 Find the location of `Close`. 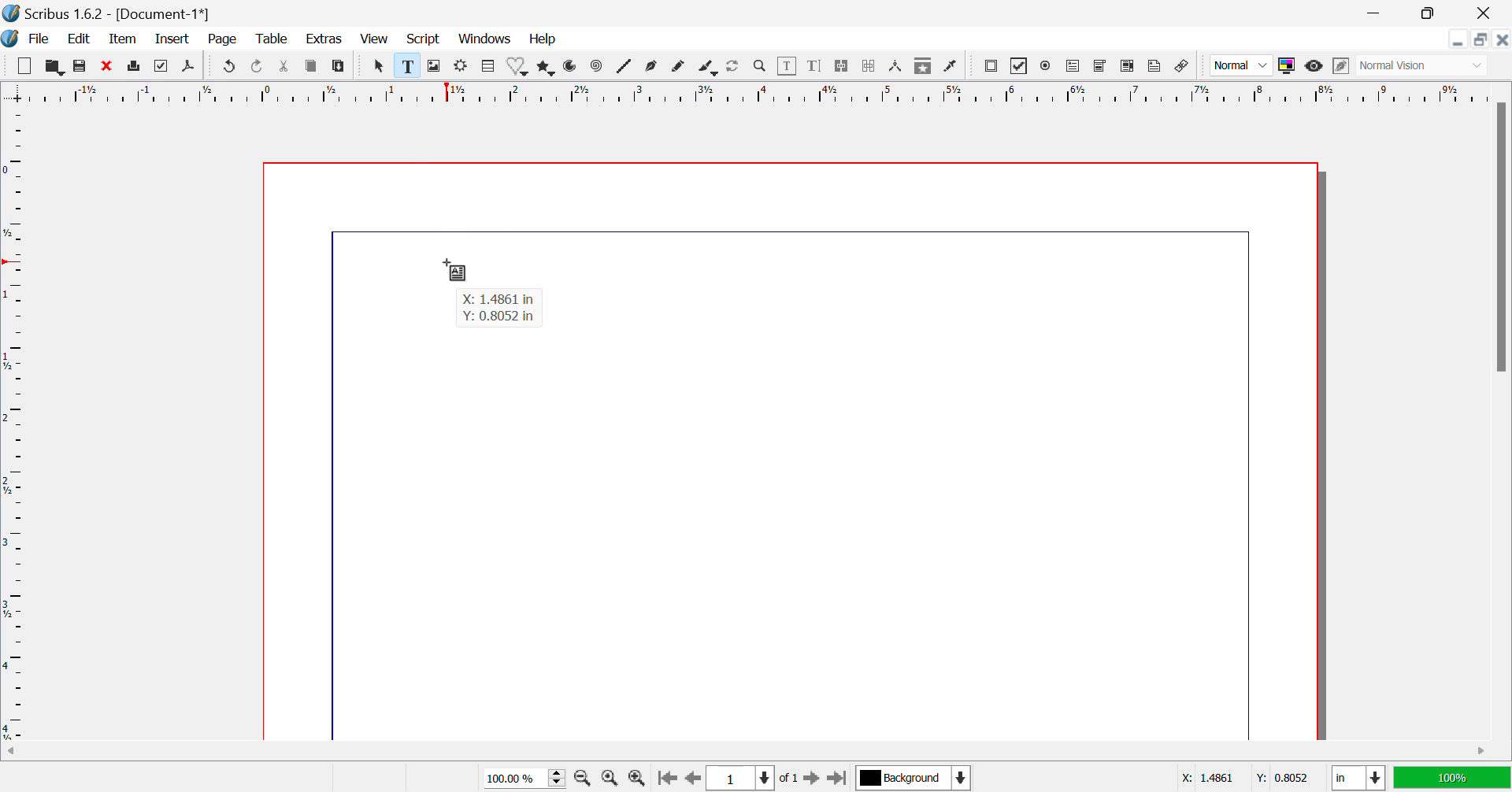

Close is located at coordinates (1484, 13).